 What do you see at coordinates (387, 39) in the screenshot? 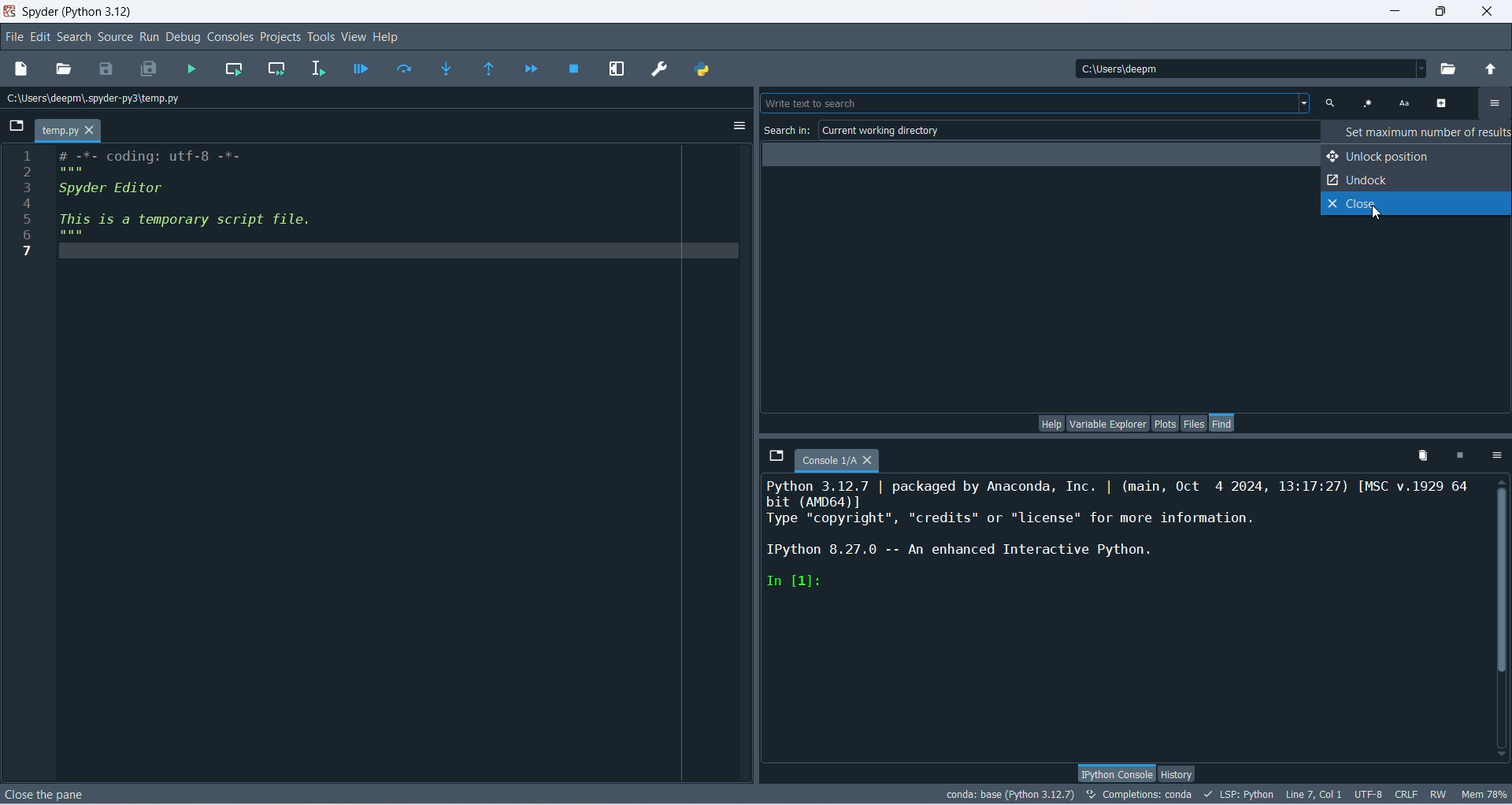
I see `help` at bounding box center [387, 39].